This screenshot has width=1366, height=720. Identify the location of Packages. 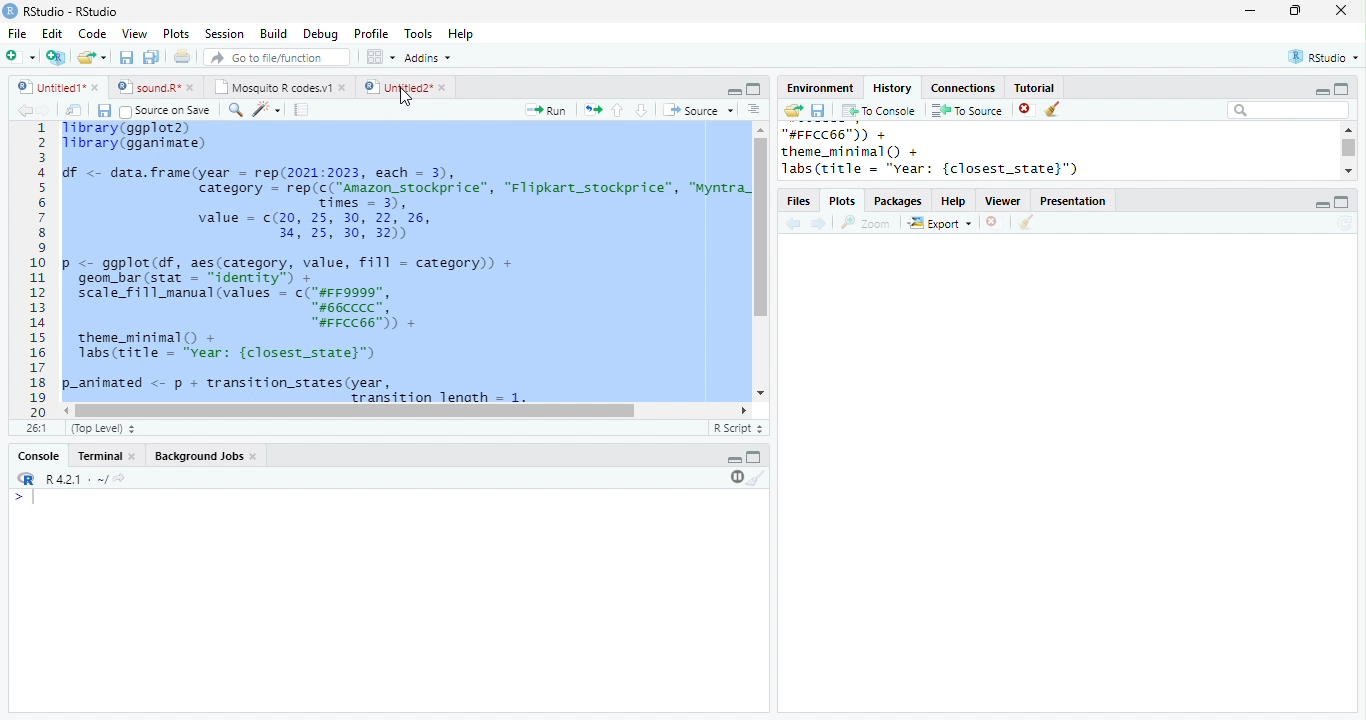
(899, 201).